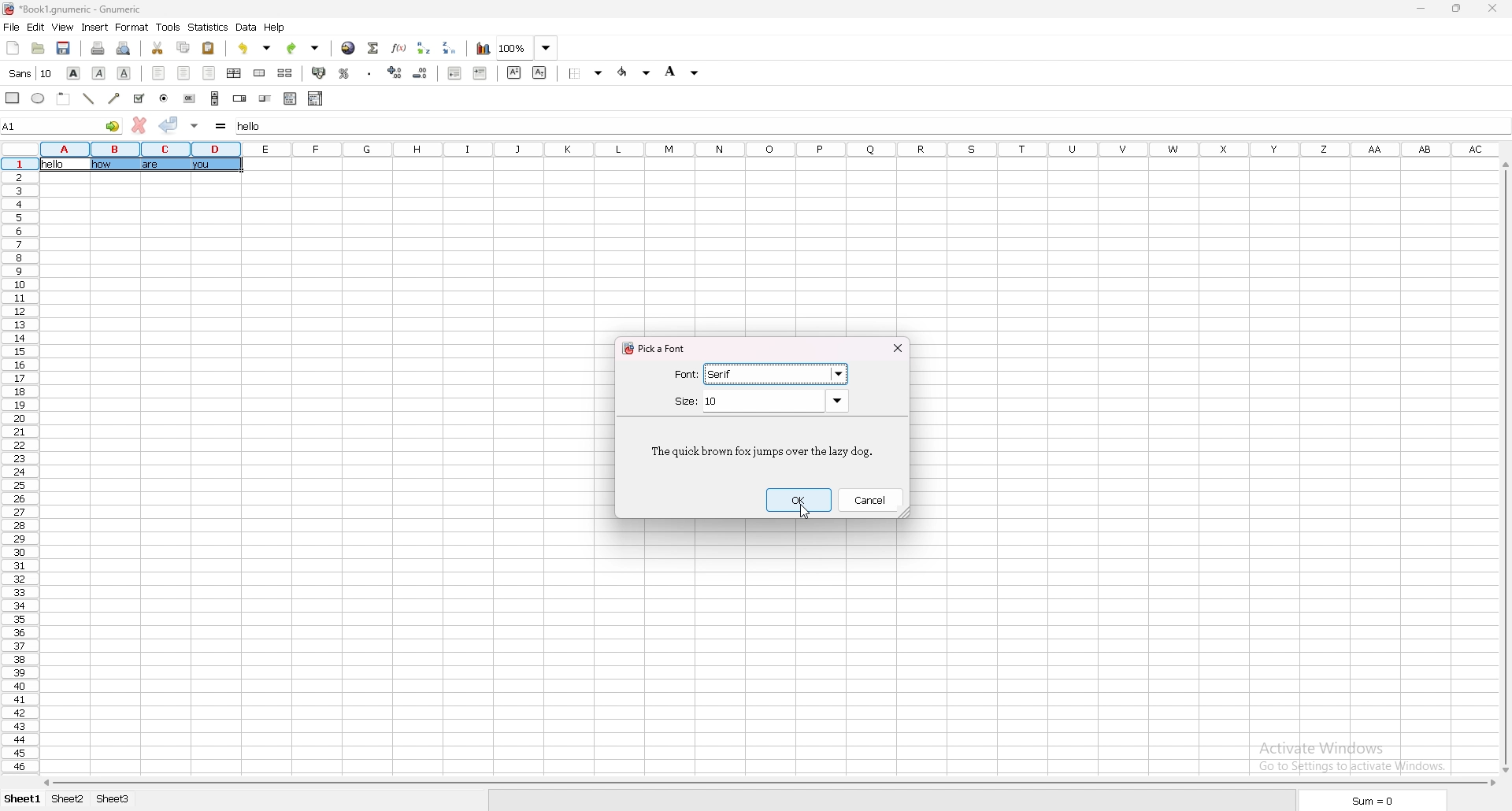 The image size is (1512, 811). What do you see at coordinates (425, 46) in the screenshot?
I see `sort ascending` at bounding box center [425, 46].